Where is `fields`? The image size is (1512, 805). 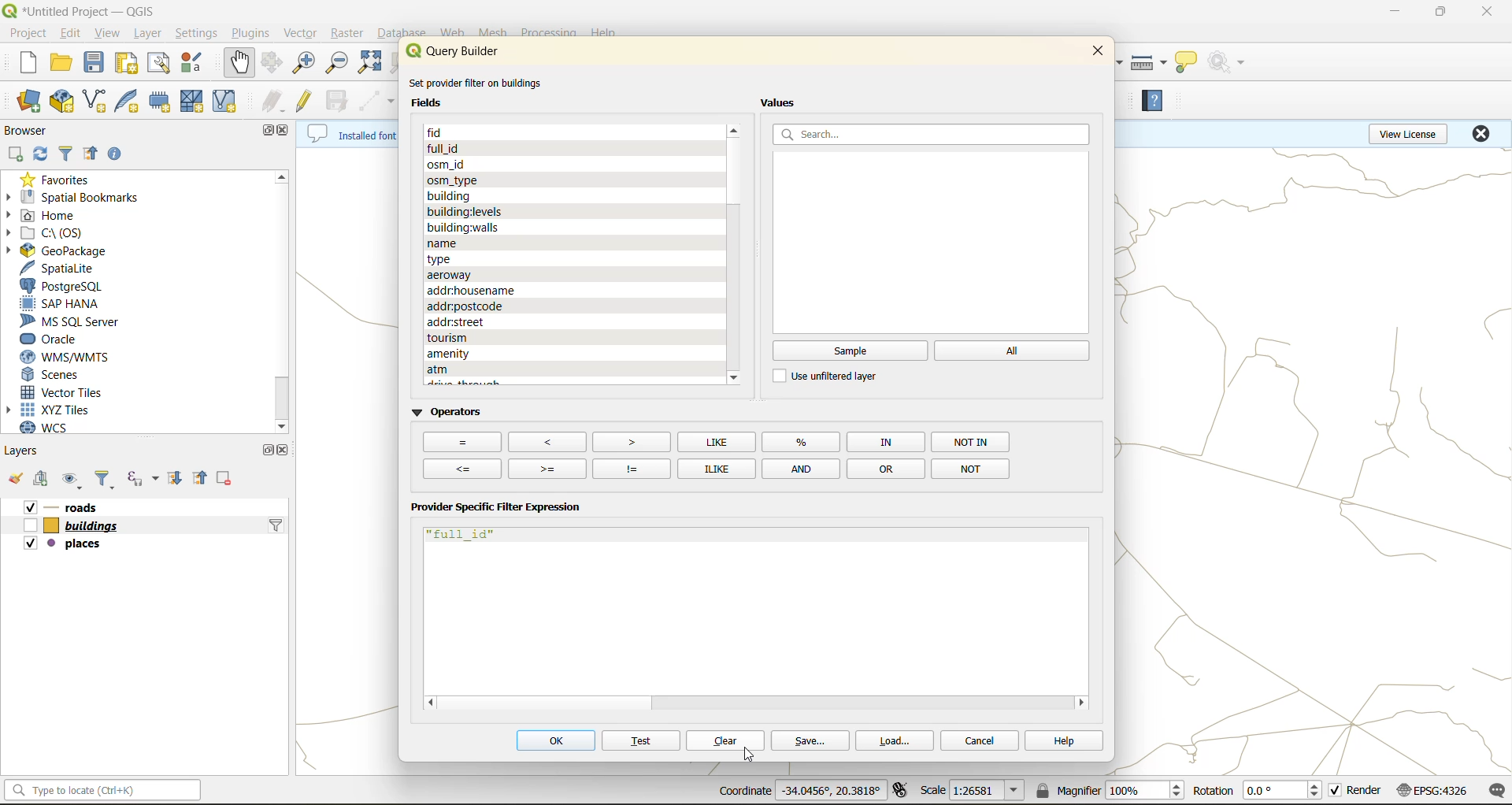 fields is located at coordinates (454, 133).